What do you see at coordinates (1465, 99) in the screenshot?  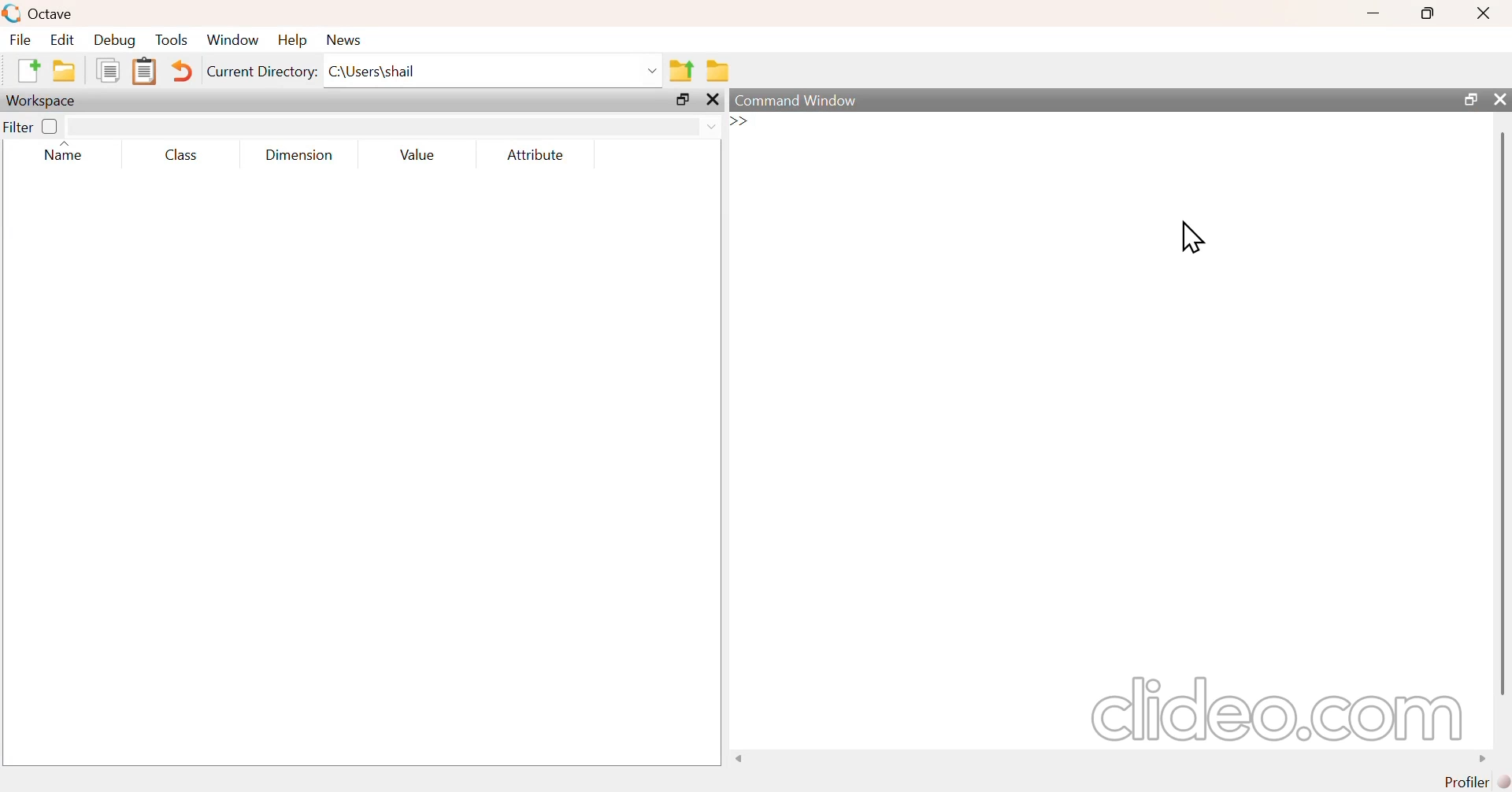 I see `maximize` at bounding box center [1465, 99].